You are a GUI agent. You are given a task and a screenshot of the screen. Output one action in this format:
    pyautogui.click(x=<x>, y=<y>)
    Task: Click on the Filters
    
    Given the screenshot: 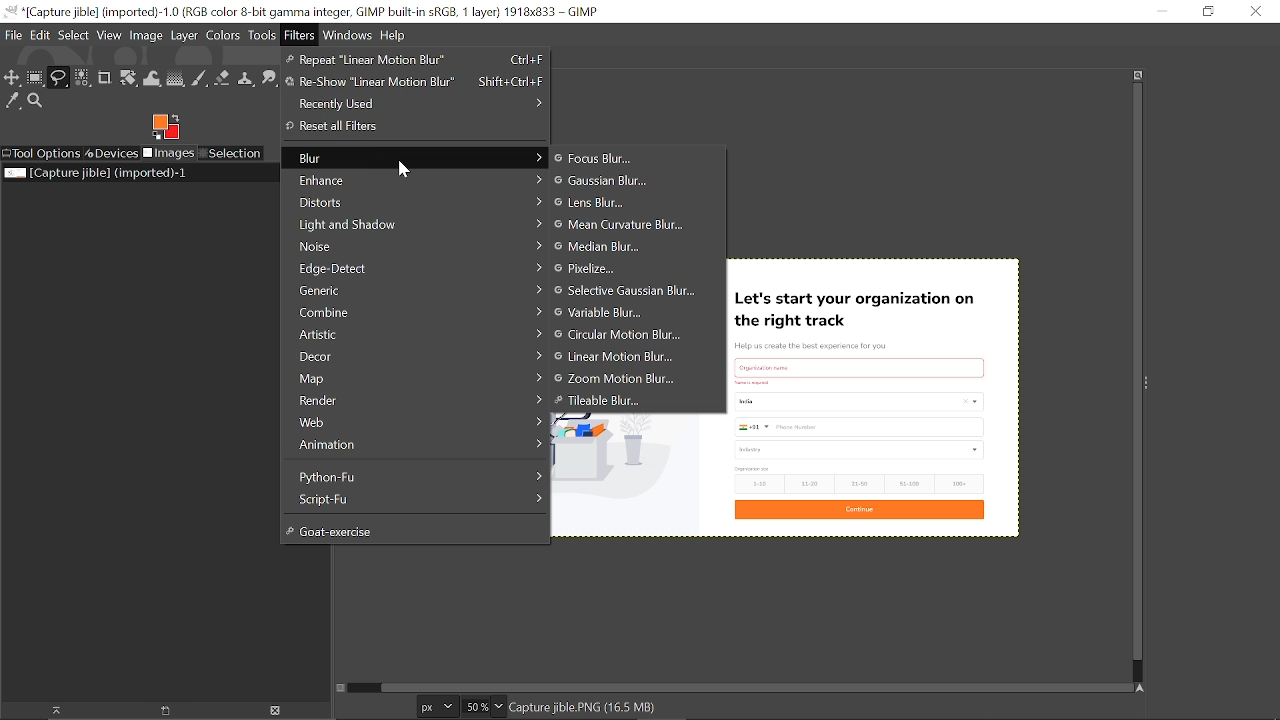 What is the action you would take?
    pyautogui.click(x=301, y=36)
    